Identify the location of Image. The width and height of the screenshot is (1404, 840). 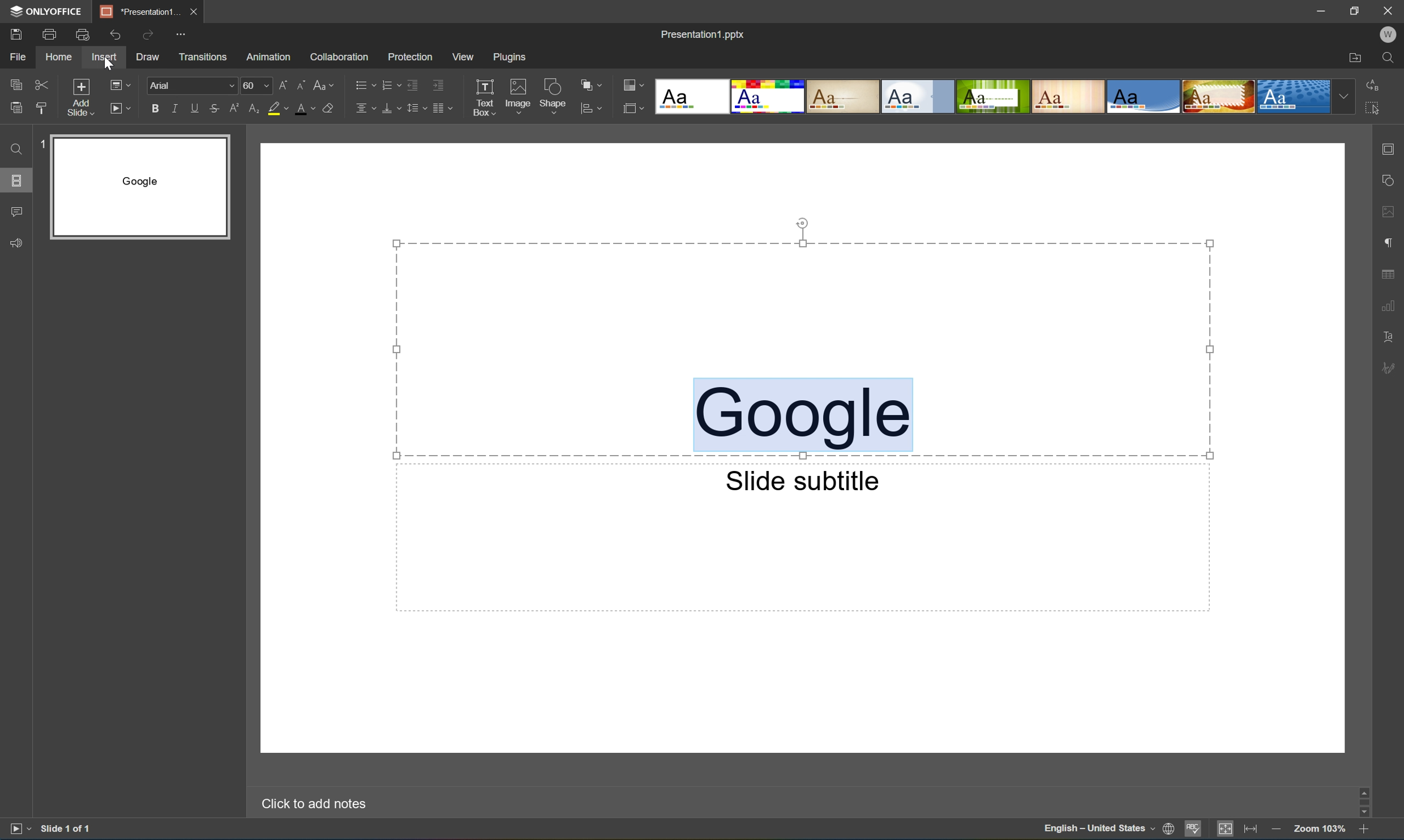
(518, 96).